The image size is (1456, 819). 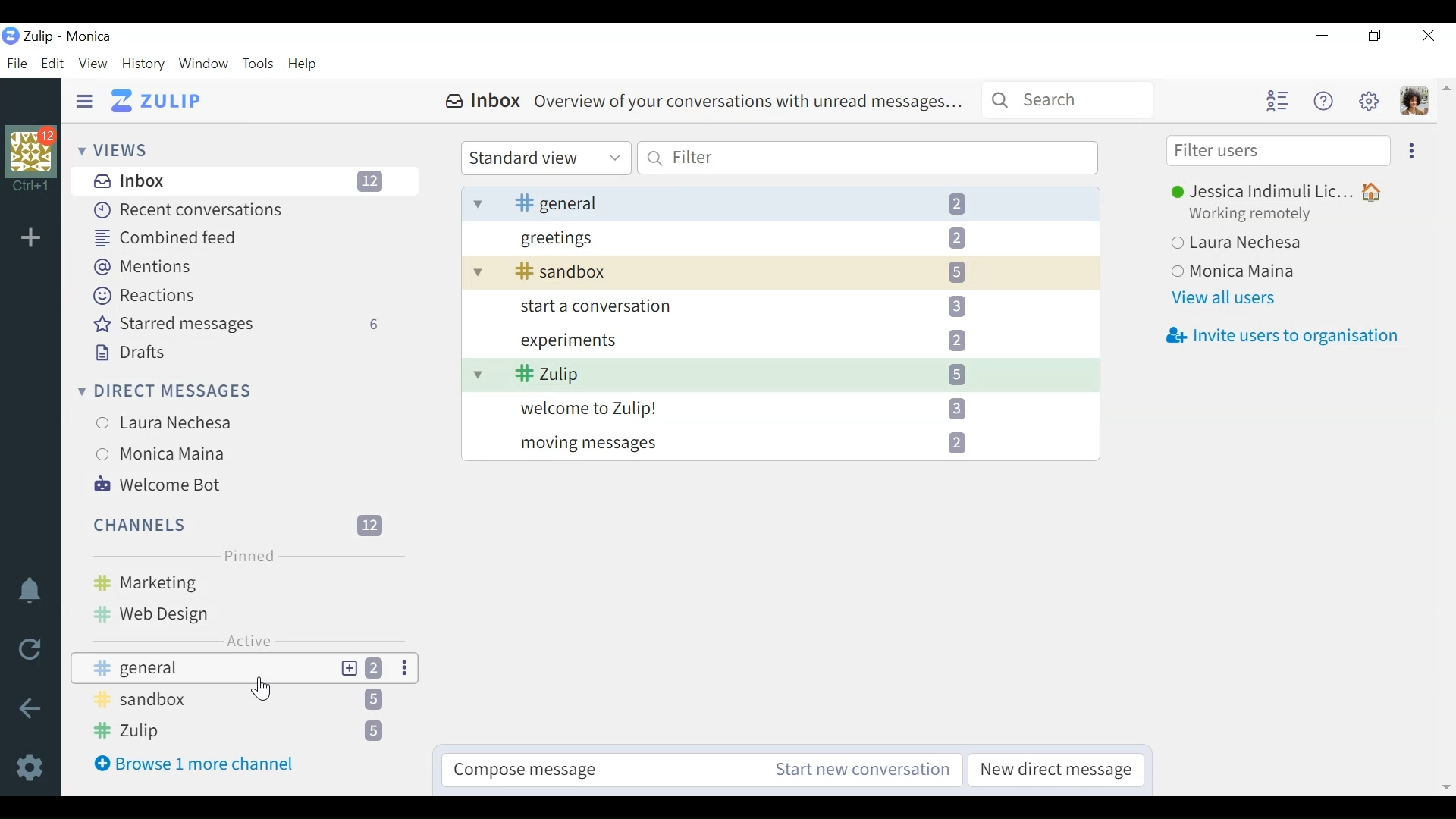 What do you see at coordinates (144, 64) in the screenshot?
I see `History` at bounding box center [144, 64].